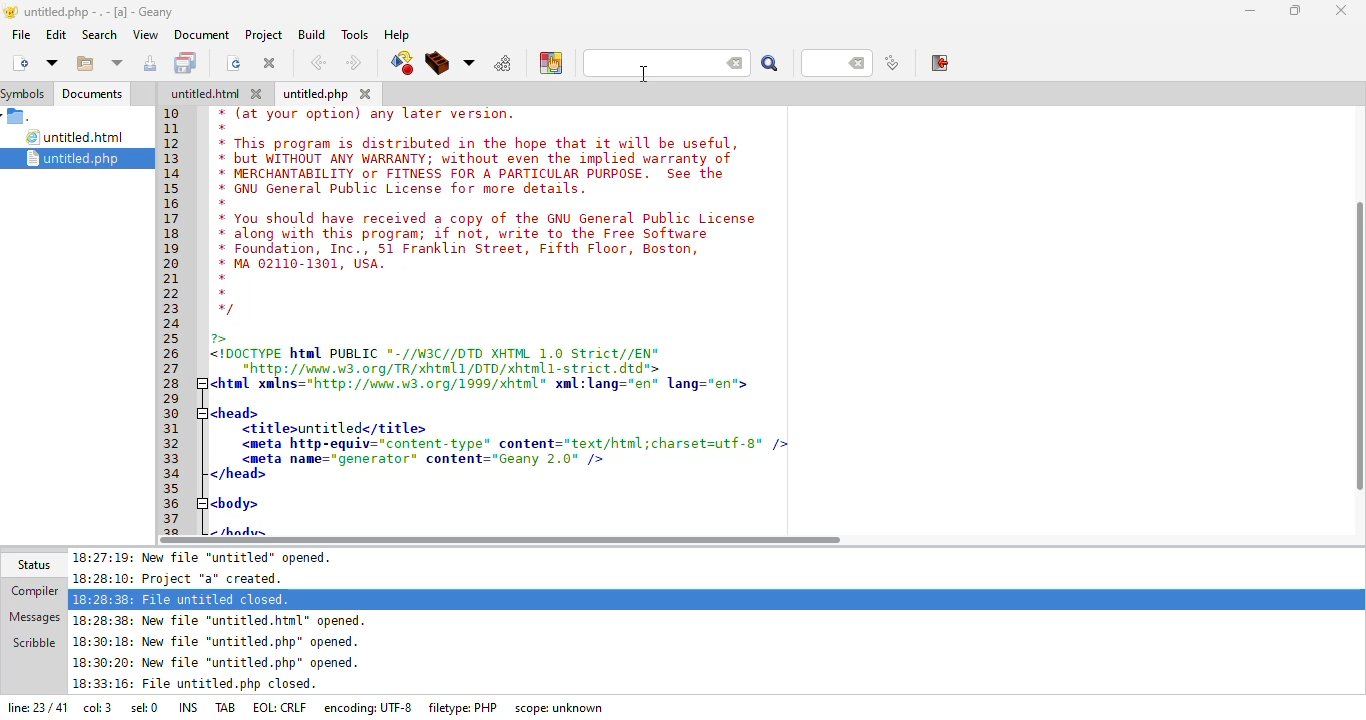  Describe the element at coordinates (260, 94) in the screenshot. I see `close` at that location.